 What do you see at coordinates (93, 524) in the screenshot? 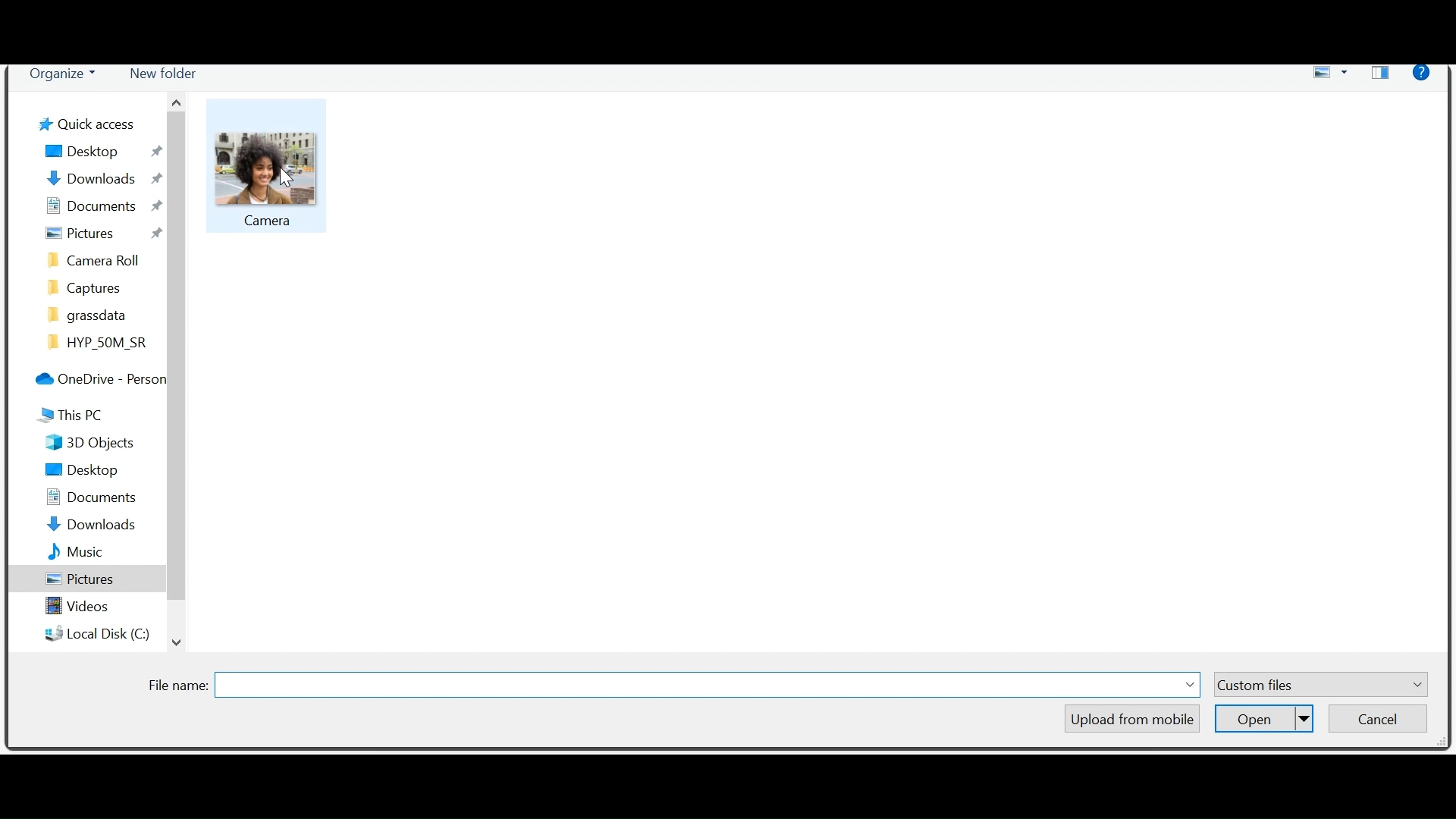
I see `Downloads` at bounding box center [93, 524].